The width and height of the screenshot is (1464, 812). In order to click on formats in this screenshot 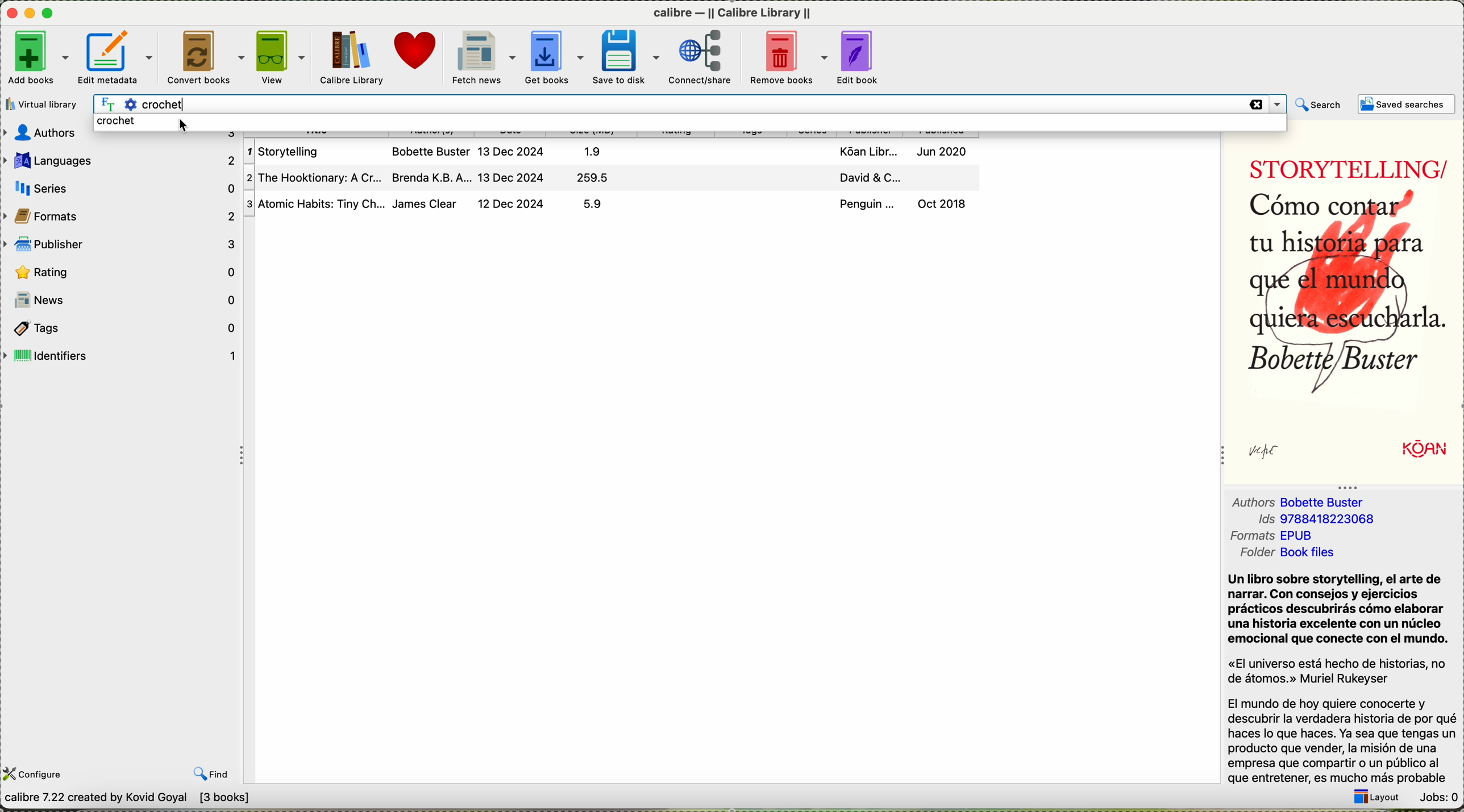, I will do `click(122, 216)`.